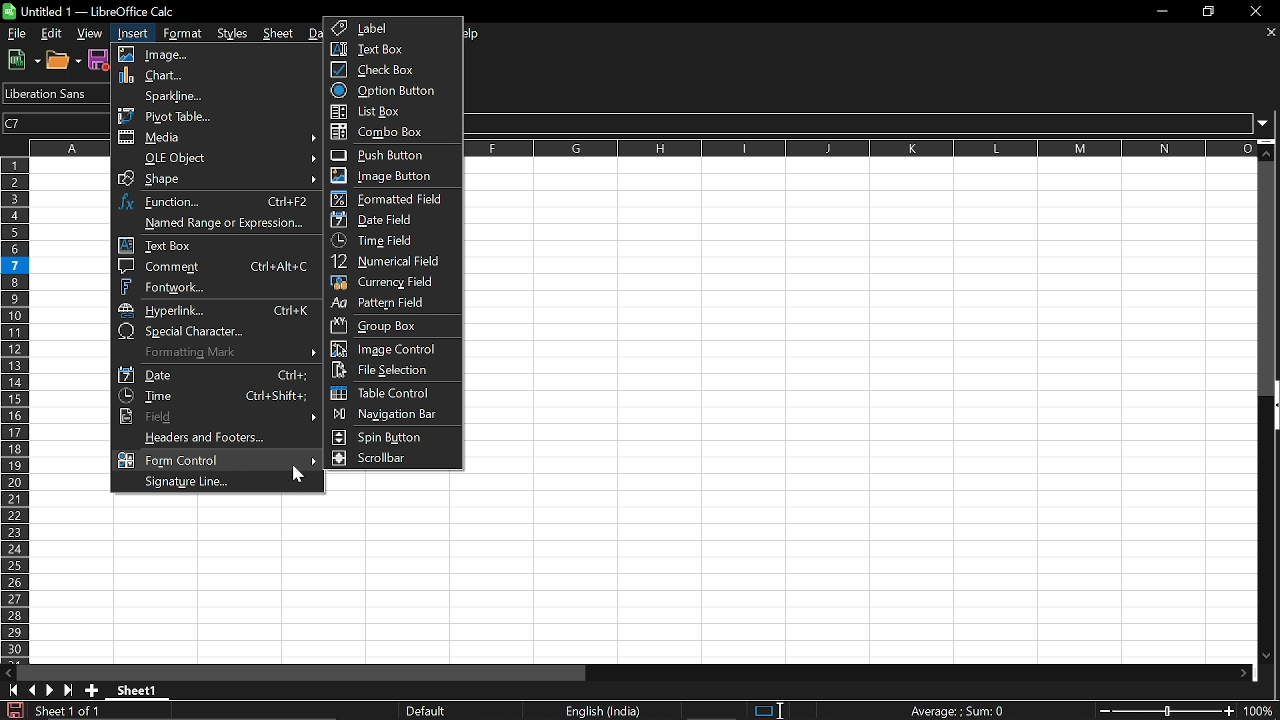 The height and width of the screenshot is (720, 1280). What do you see at coordinates (70, 410) in the screenshot?
I see `Fillable cells` at bounding box center [70, 410].